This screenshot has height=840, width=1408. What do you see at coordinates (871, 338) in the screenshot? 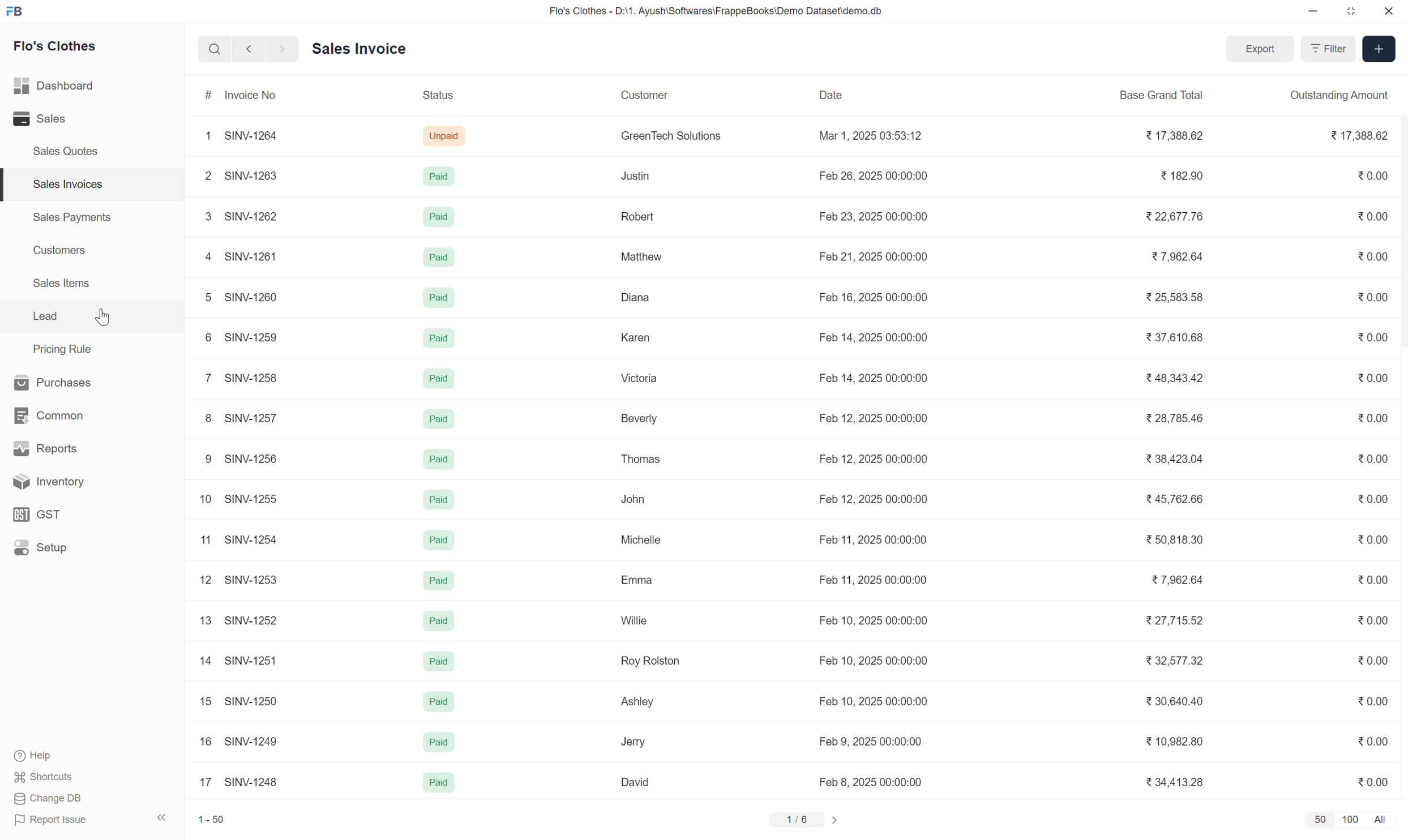
I see `Feb 14, 2025 00:00:00` at bounding box center [871, 338].